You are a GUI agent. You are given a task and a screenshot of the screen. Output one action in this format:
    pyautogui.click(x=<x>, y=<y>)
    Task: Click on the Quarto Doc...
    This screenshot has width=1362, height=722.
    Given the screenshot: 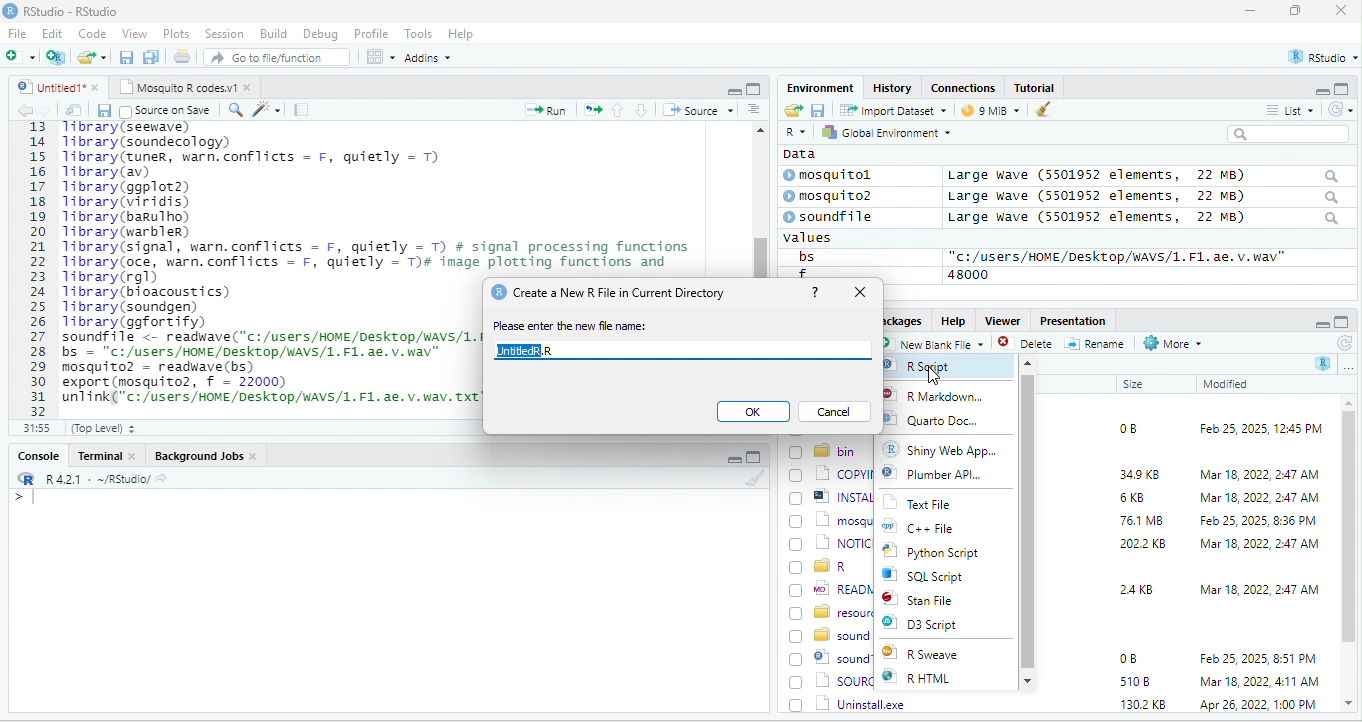 What is the action you would take?
    pyautogui.click(x=948, y=422)
    